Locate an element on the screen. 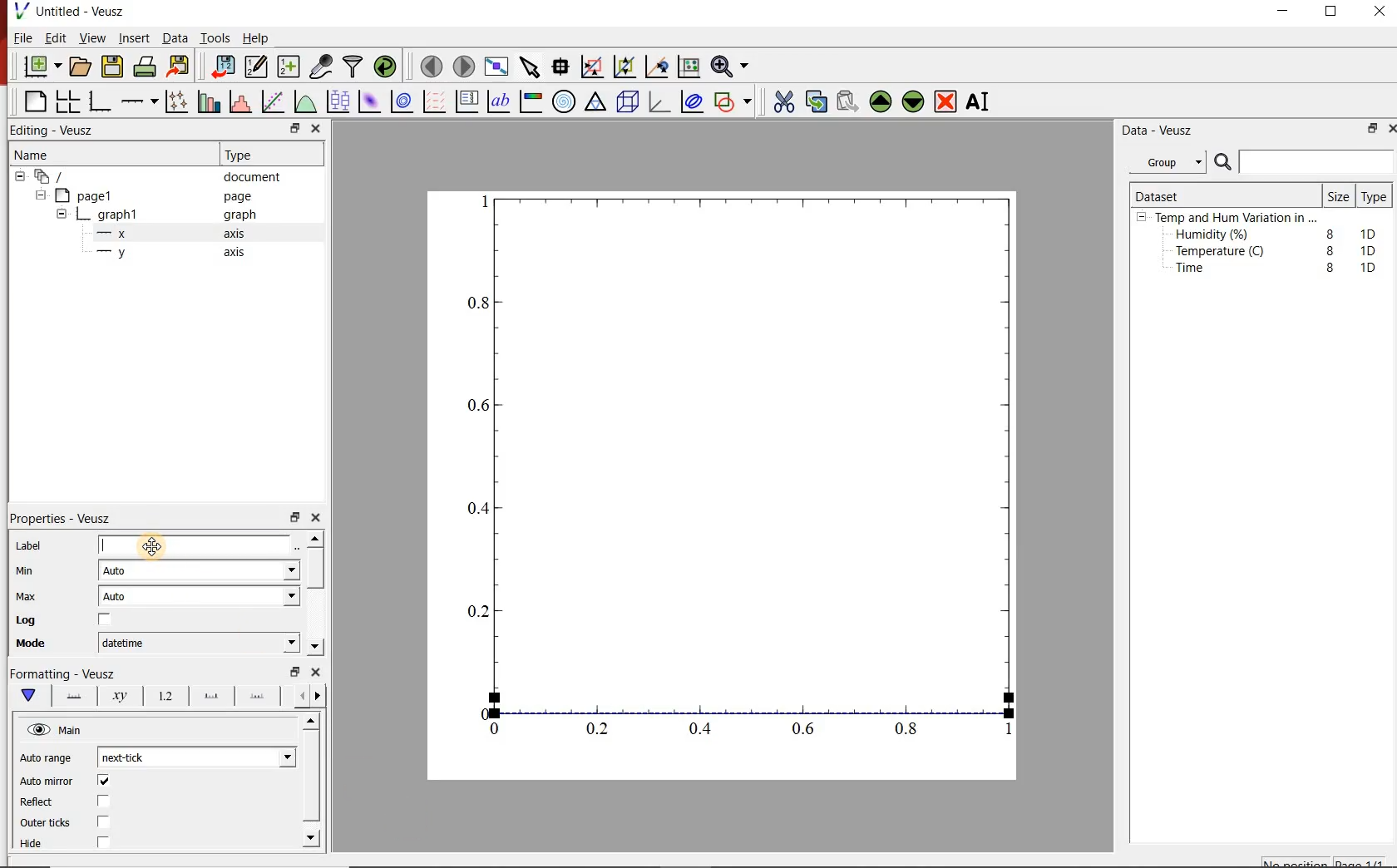 This screenshot has height=868, width=1397. base graph is located at coordinates (101, 99).